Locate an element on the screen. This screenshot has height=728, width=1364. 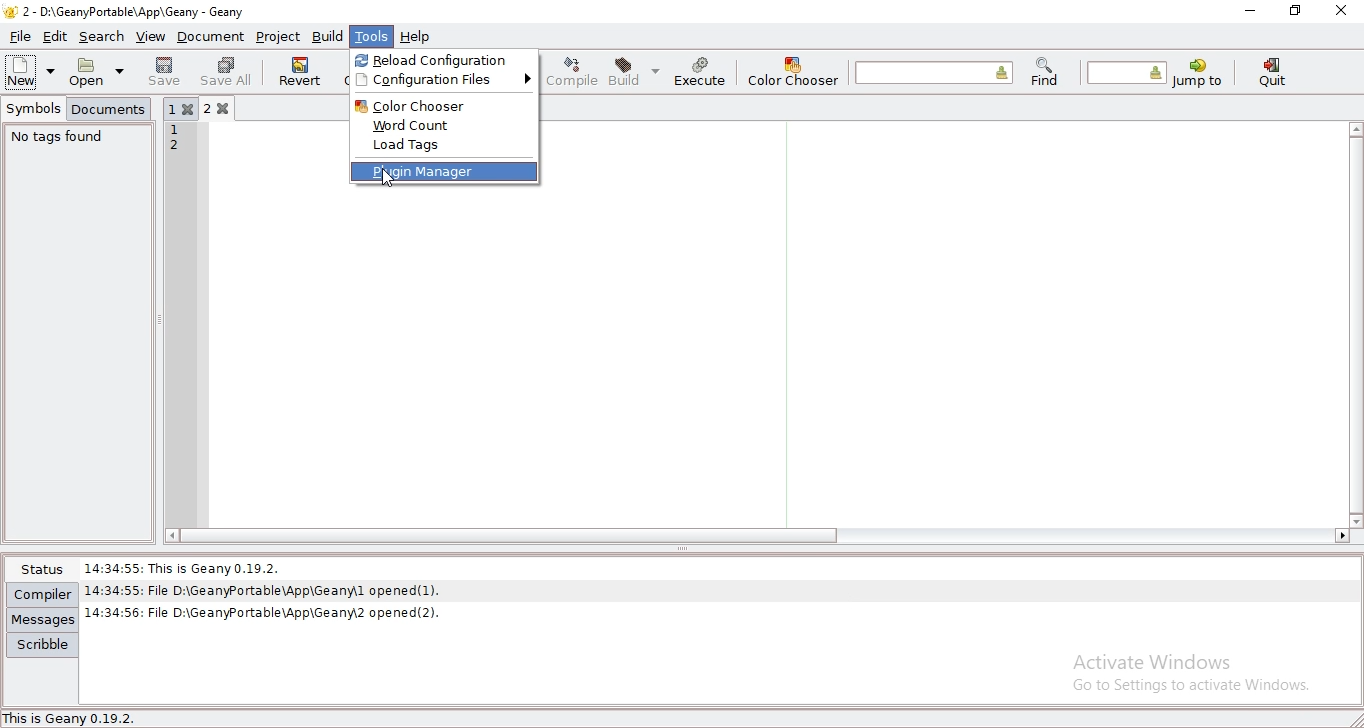
close is located at coordinates (1345, 9).